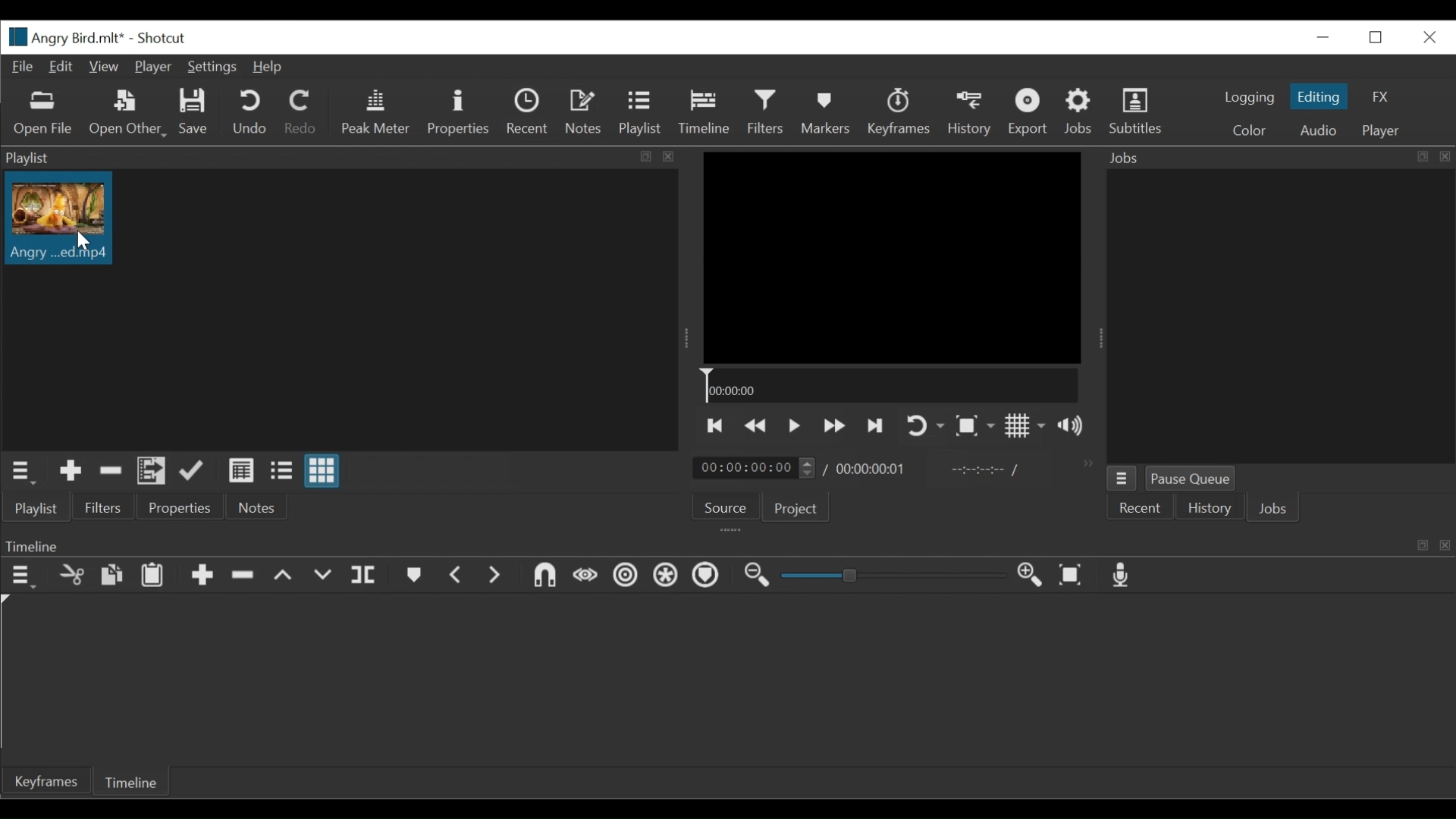 The height and width of the screenshot is (819, 1456). I want to click on Toggle Zoom , so click(975, 425).